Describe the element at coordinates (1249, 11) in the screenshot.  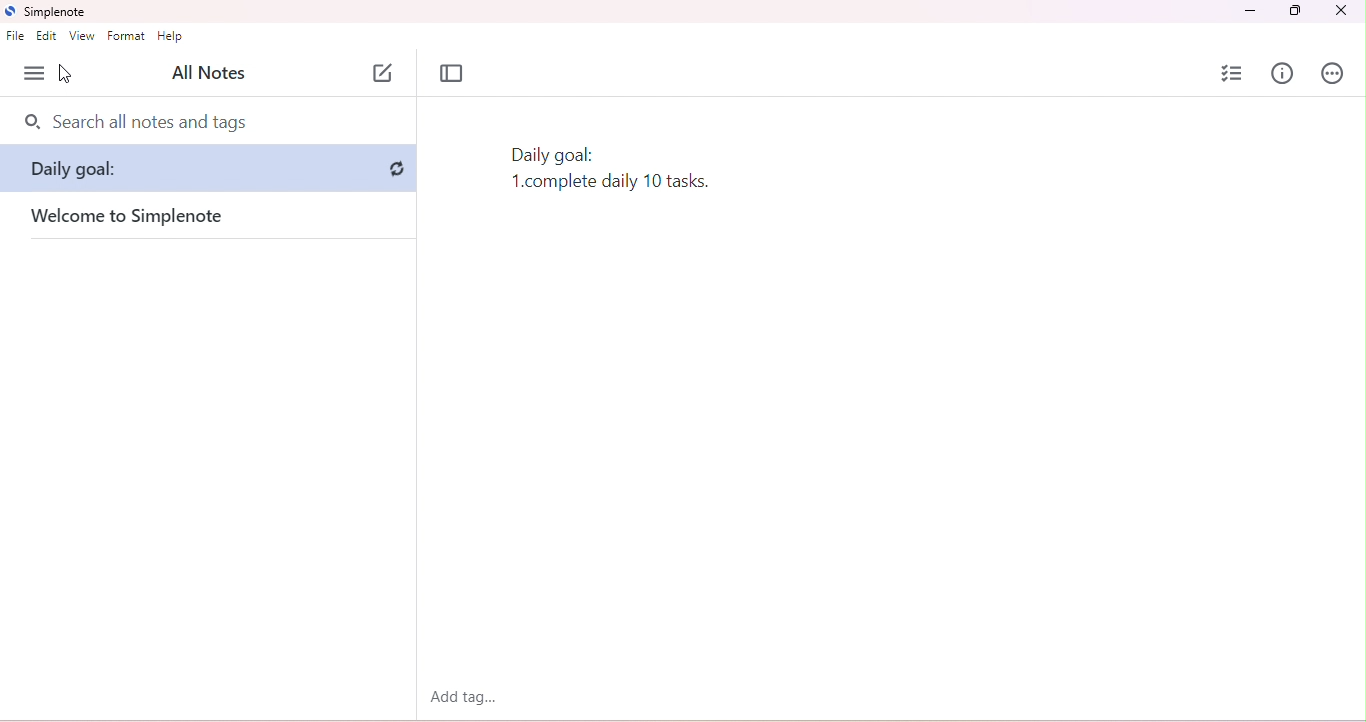
I see `minimize` at that location.